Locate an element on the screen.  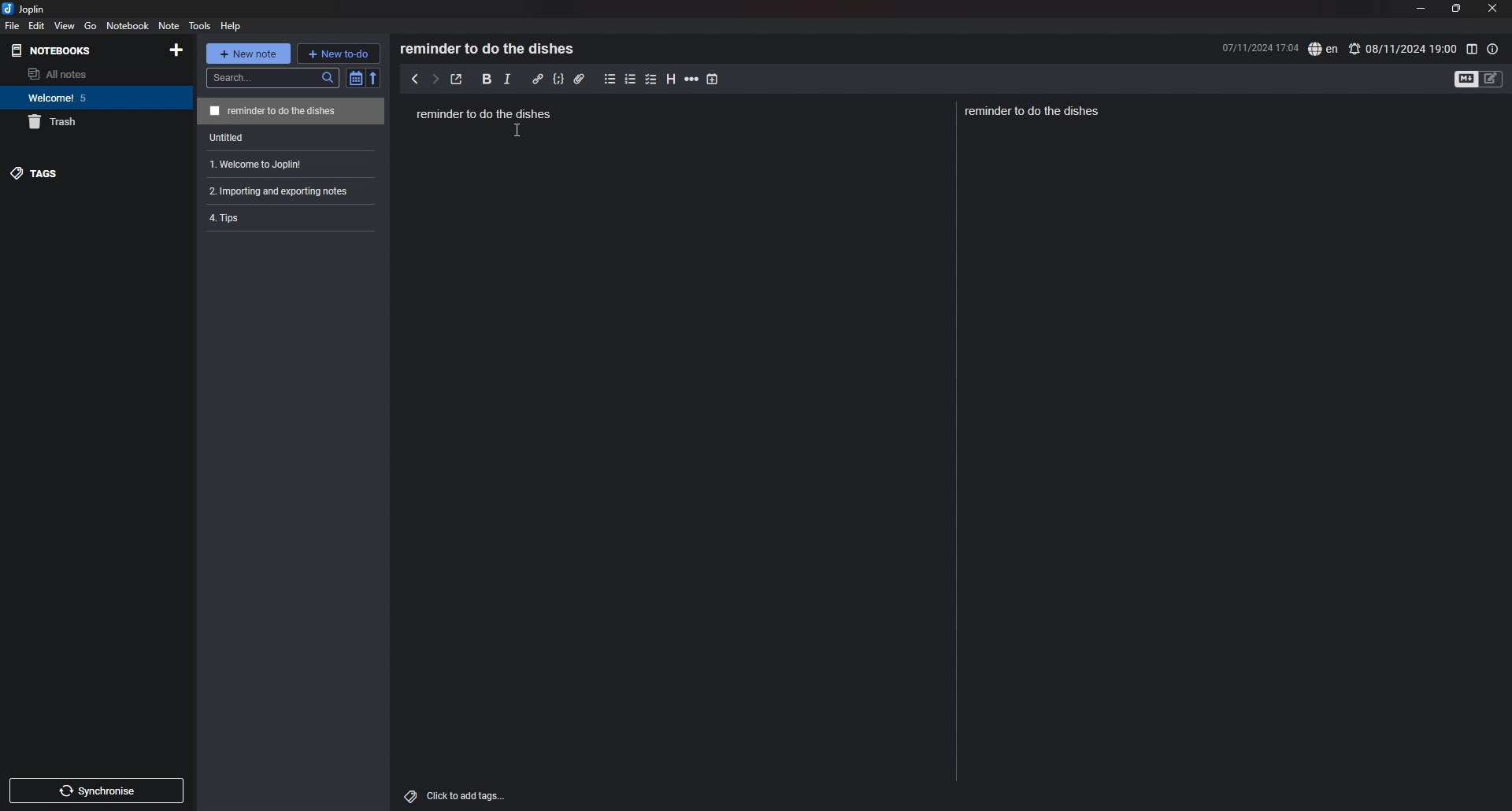
notebook is located at coordinates (90, 97).